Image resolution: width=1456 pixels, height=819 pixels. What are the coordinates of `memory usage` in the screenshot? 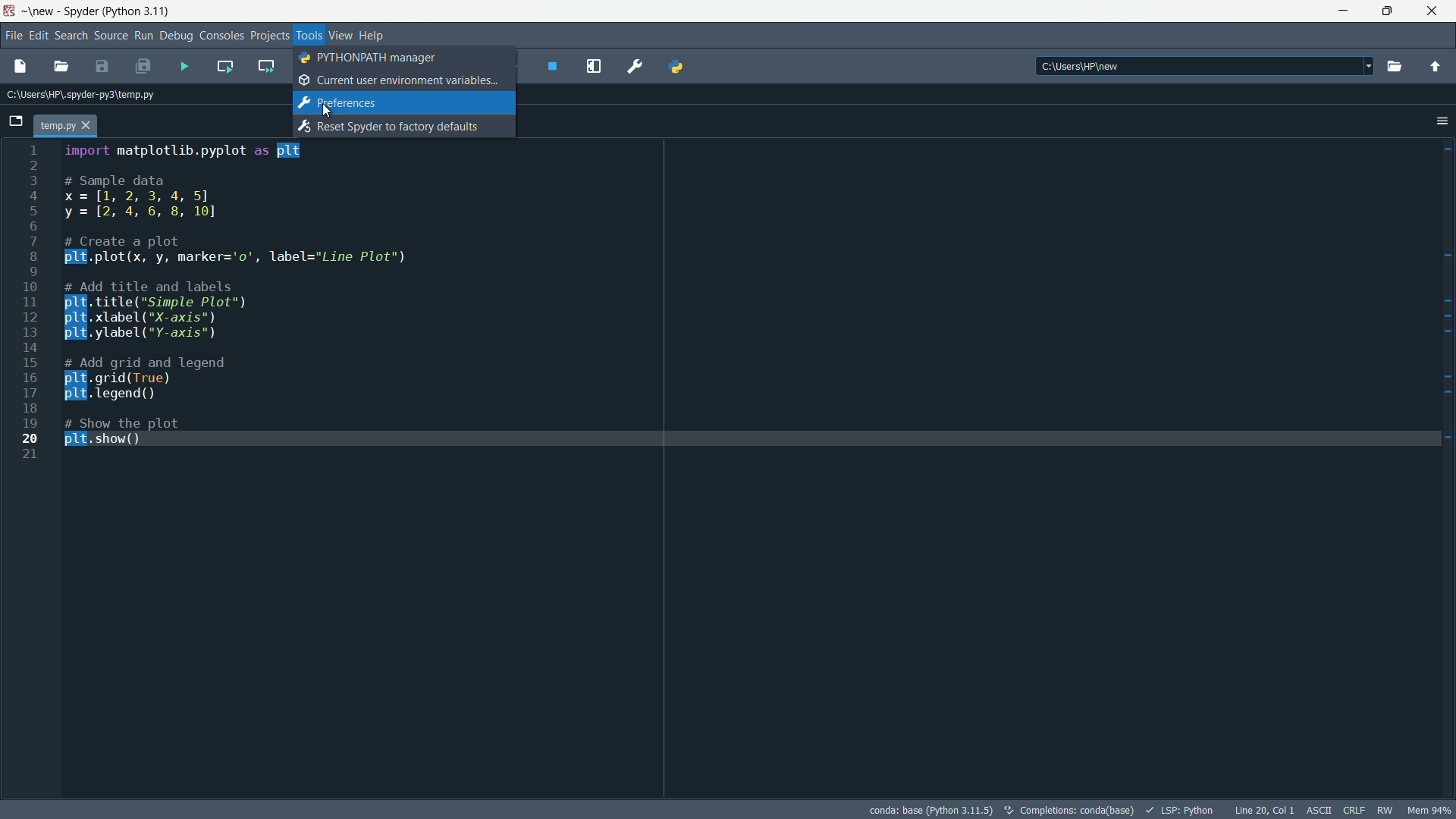 It's located at (1432, 810).